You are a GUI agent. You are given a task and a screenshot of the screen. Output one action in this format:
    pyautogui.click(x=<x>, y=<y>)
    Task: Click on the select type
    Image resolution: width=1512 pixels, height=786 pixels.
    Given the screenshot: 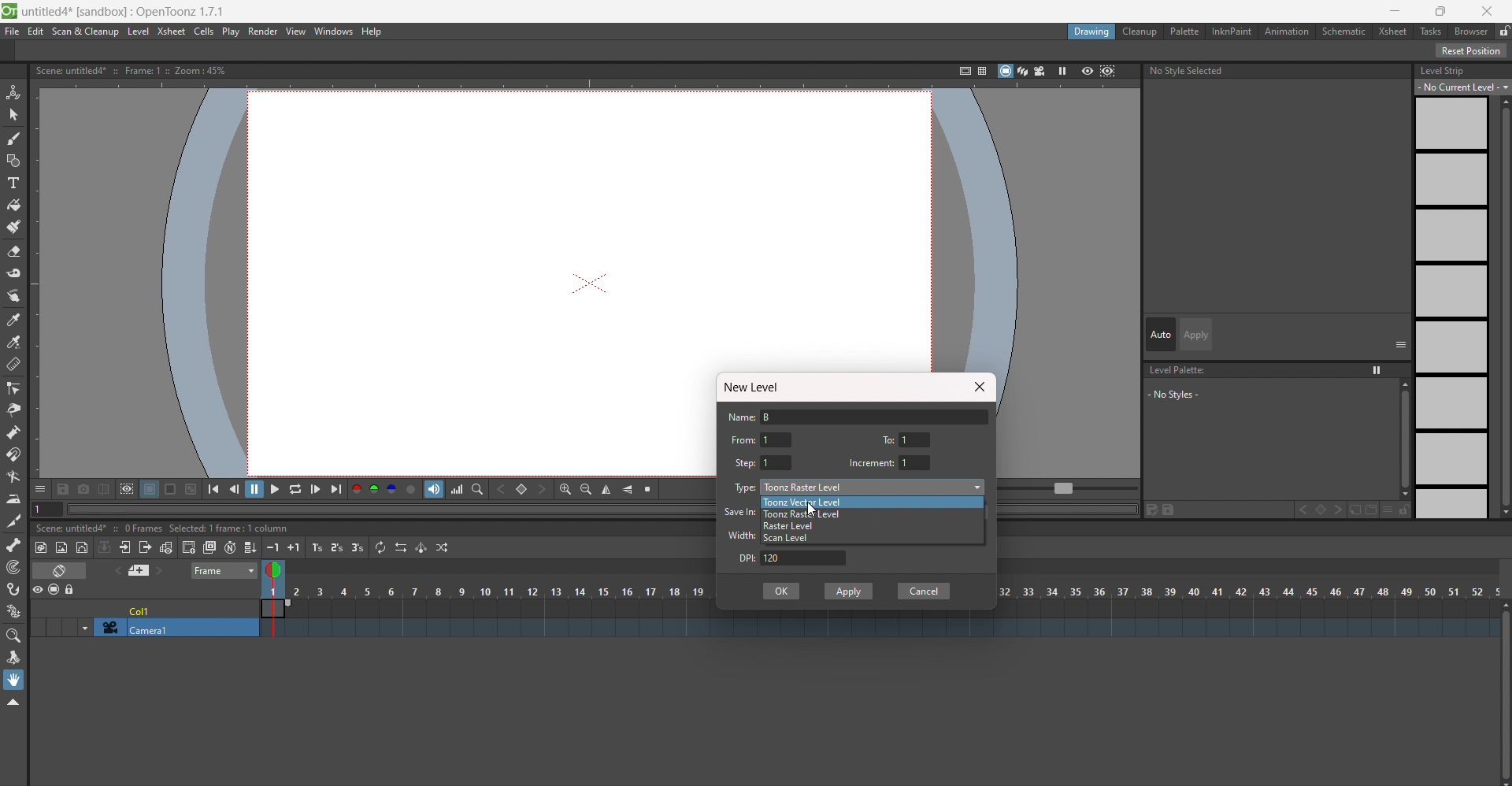 What is the action you would take?
    pyautogui.click(x=874, y=487)
    